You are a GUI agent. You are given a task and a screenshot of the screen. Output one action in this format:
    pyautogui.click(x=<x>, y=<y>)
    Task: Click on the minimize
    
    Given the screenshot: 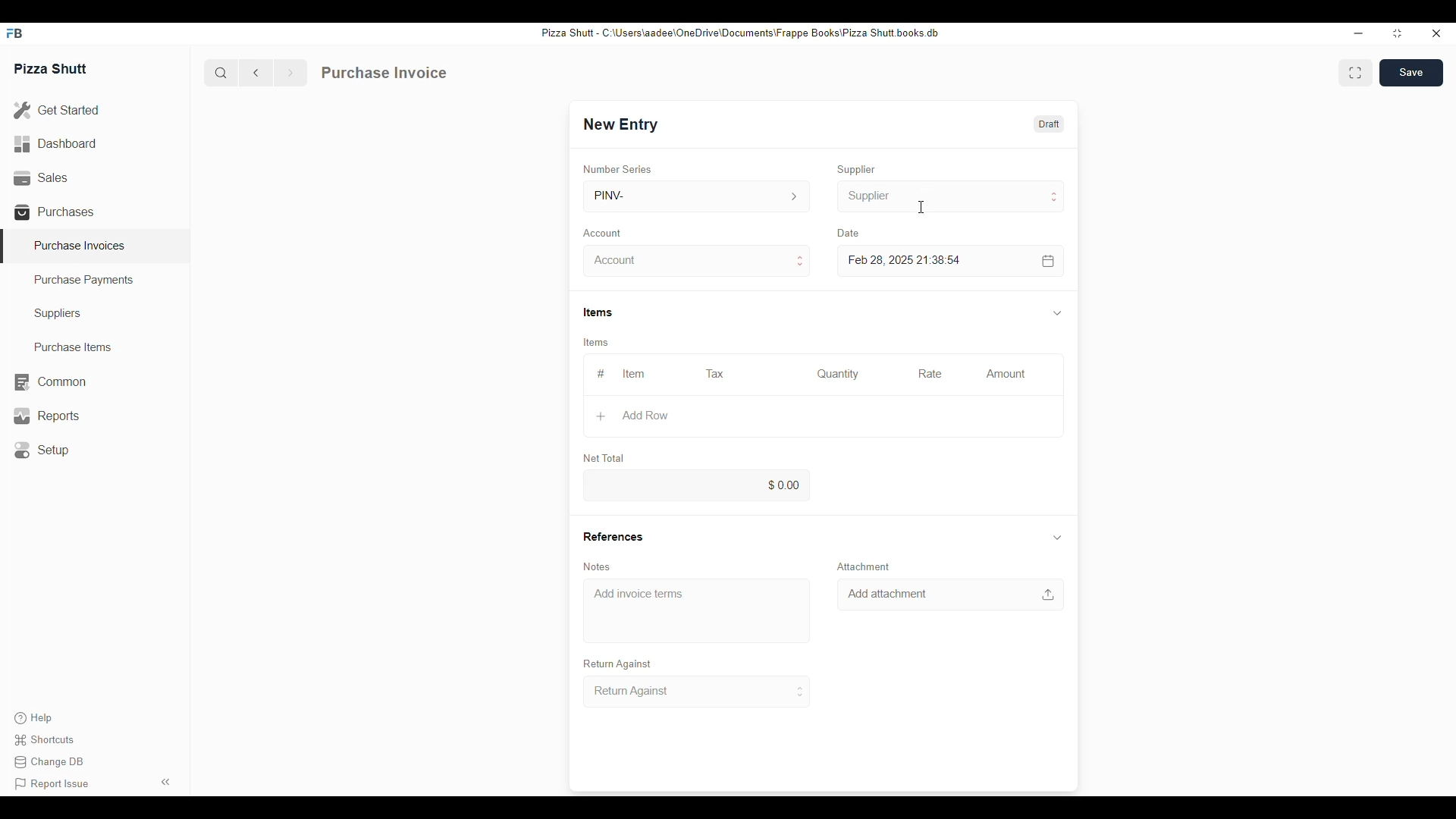 What is the action you would take?
    pyautogui.click(x=1358, y=33)
    